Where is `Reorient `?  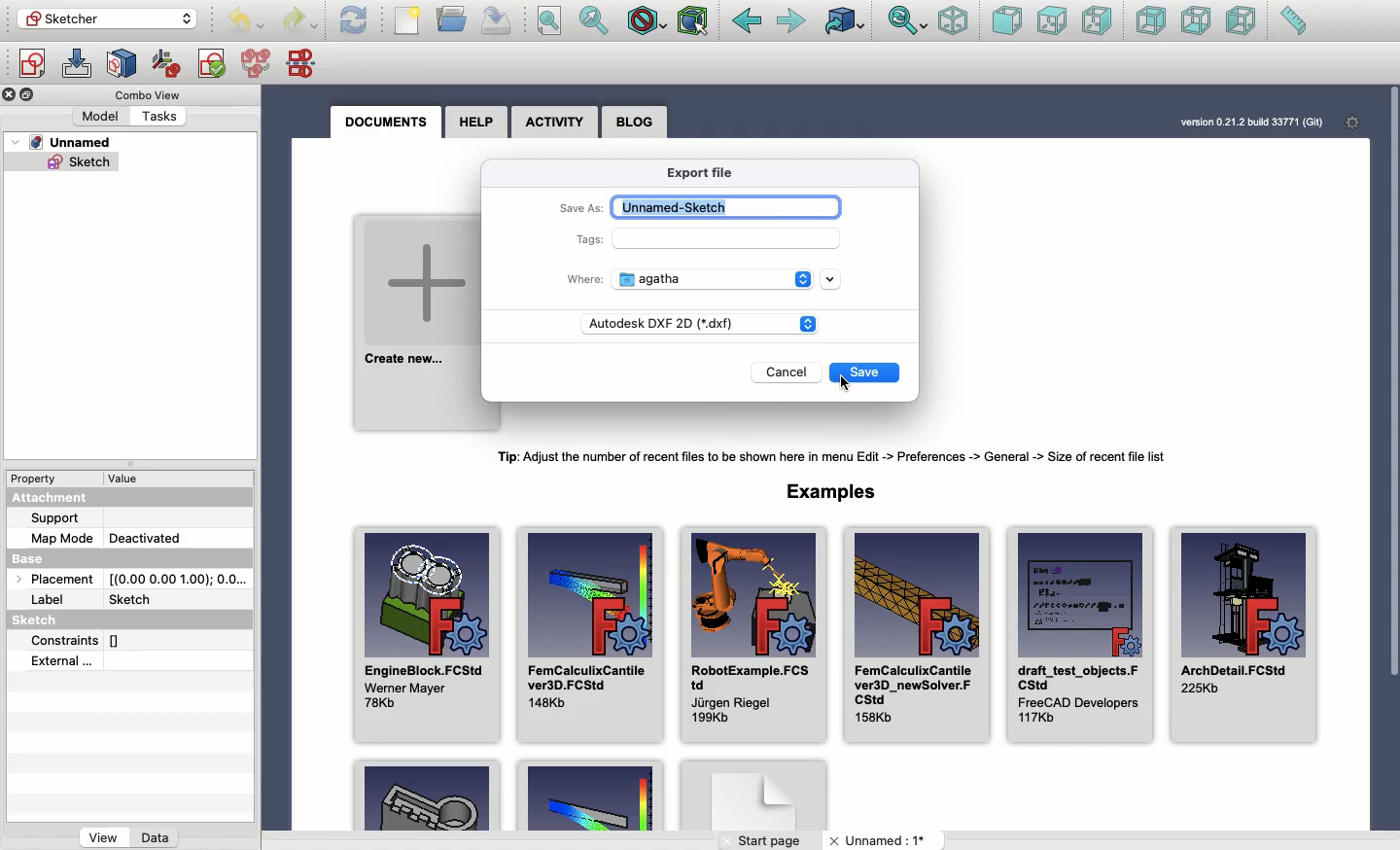 Reorient  is located at coordinates (166, 62).